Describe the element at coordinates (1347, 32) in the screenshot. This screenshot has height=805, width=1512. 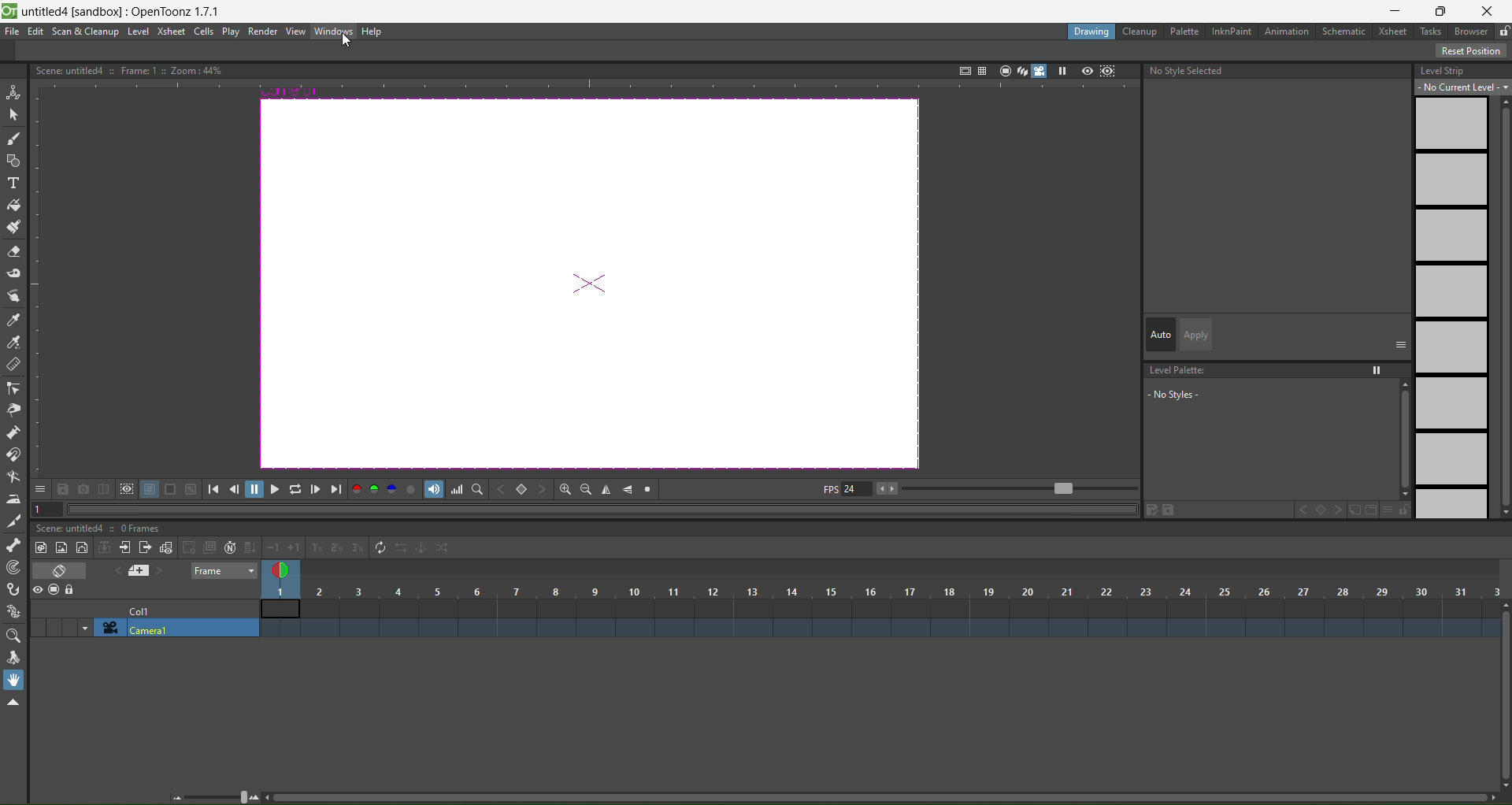
I see `schematic` at that location.